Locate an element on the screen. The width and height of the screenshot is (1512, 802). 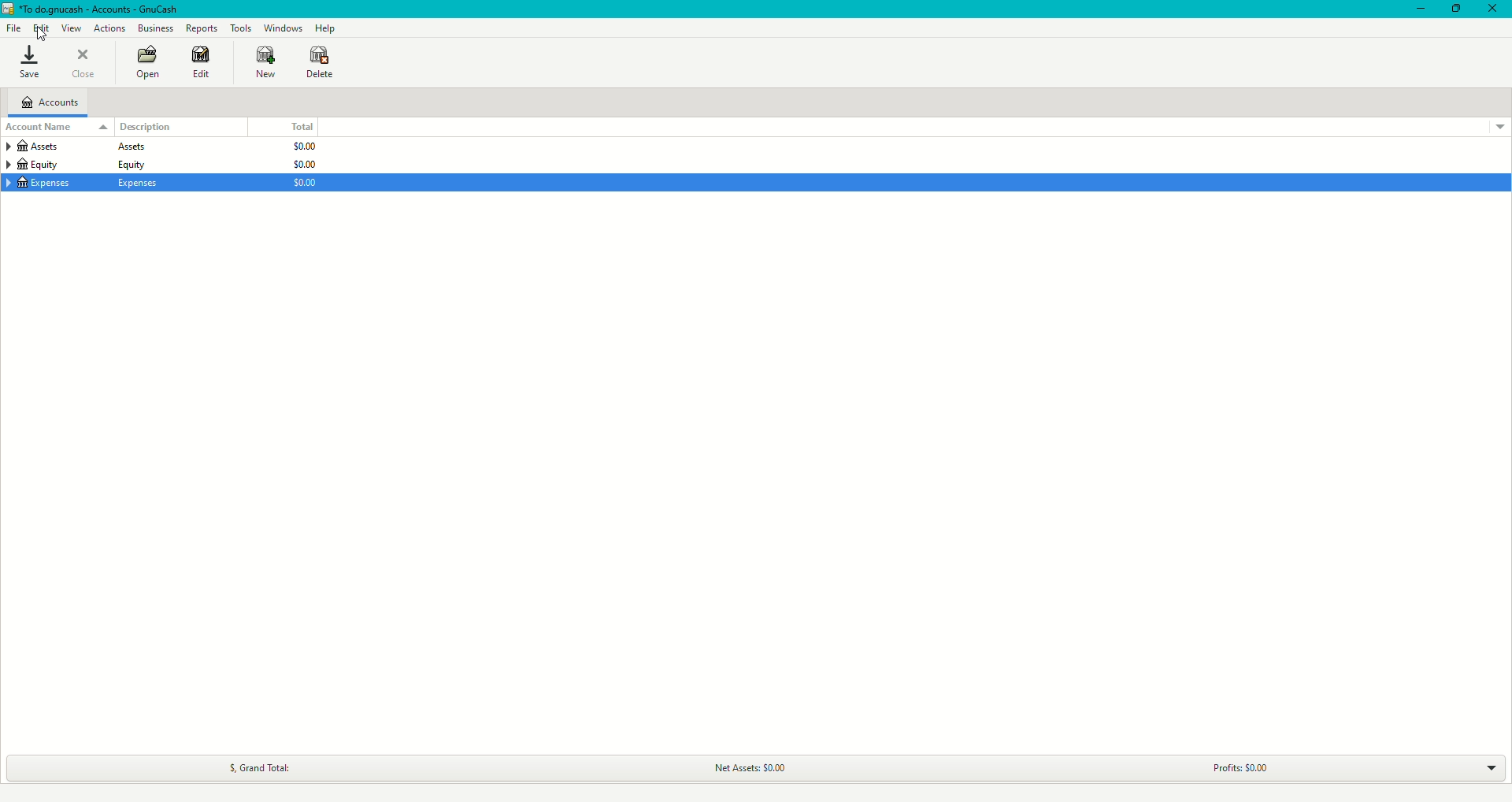
Business is located at coordinates (155, 27).